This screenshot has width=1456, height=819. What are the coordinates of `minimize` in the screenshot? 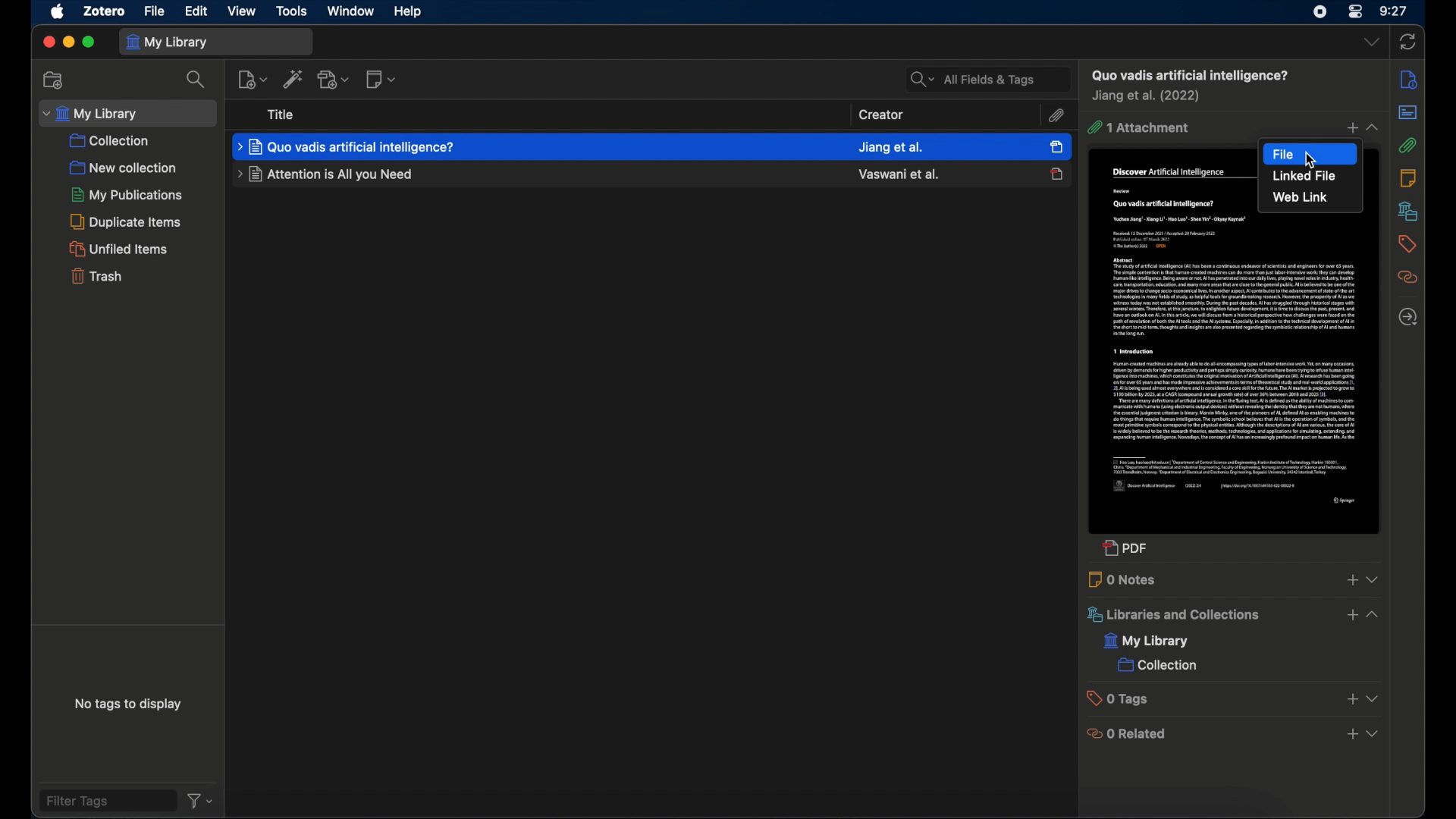 It's located at (69, 42).